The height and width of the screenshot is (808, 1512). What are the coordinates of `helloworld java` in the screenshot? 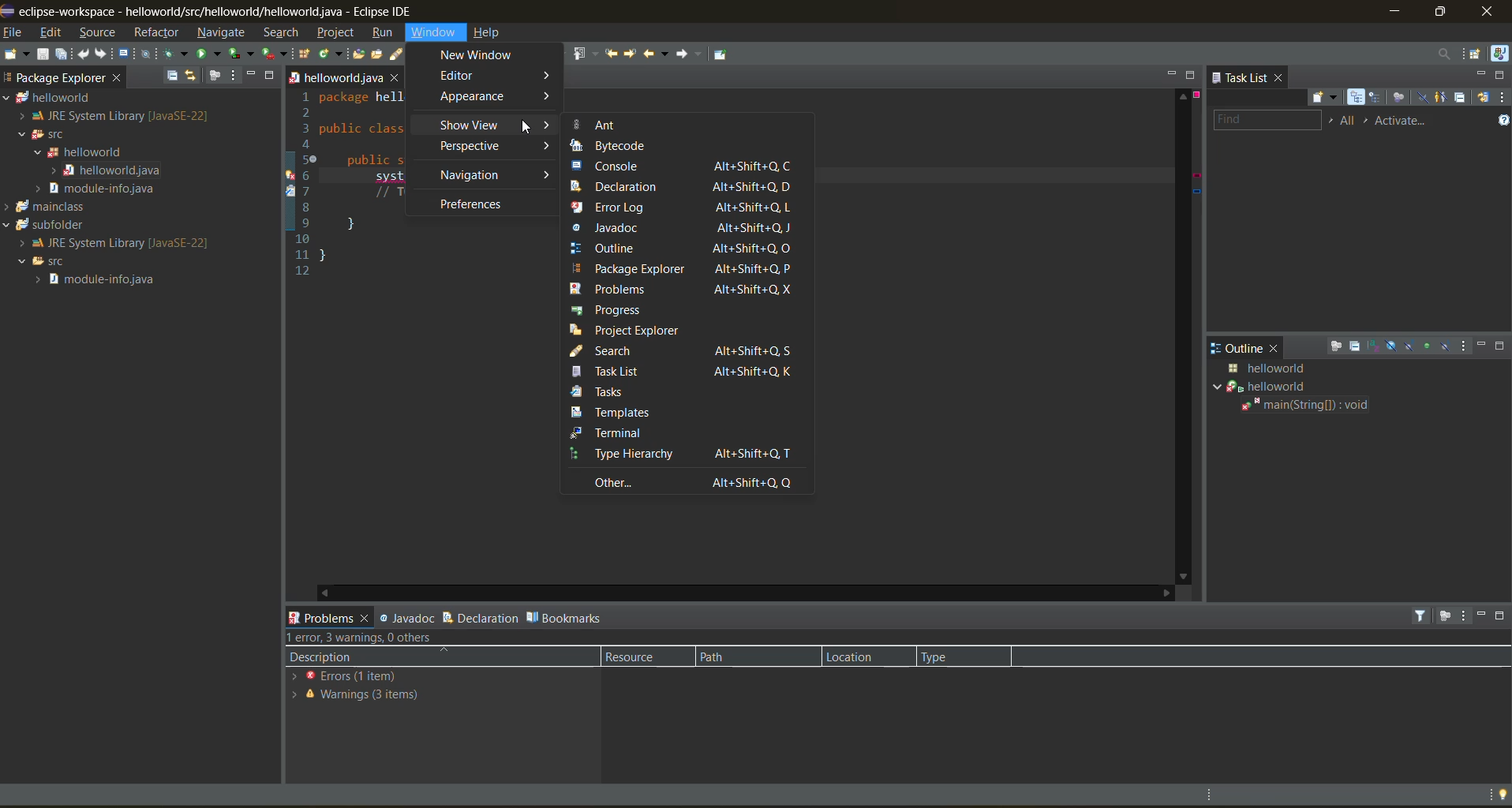 It's located at (107, 171).